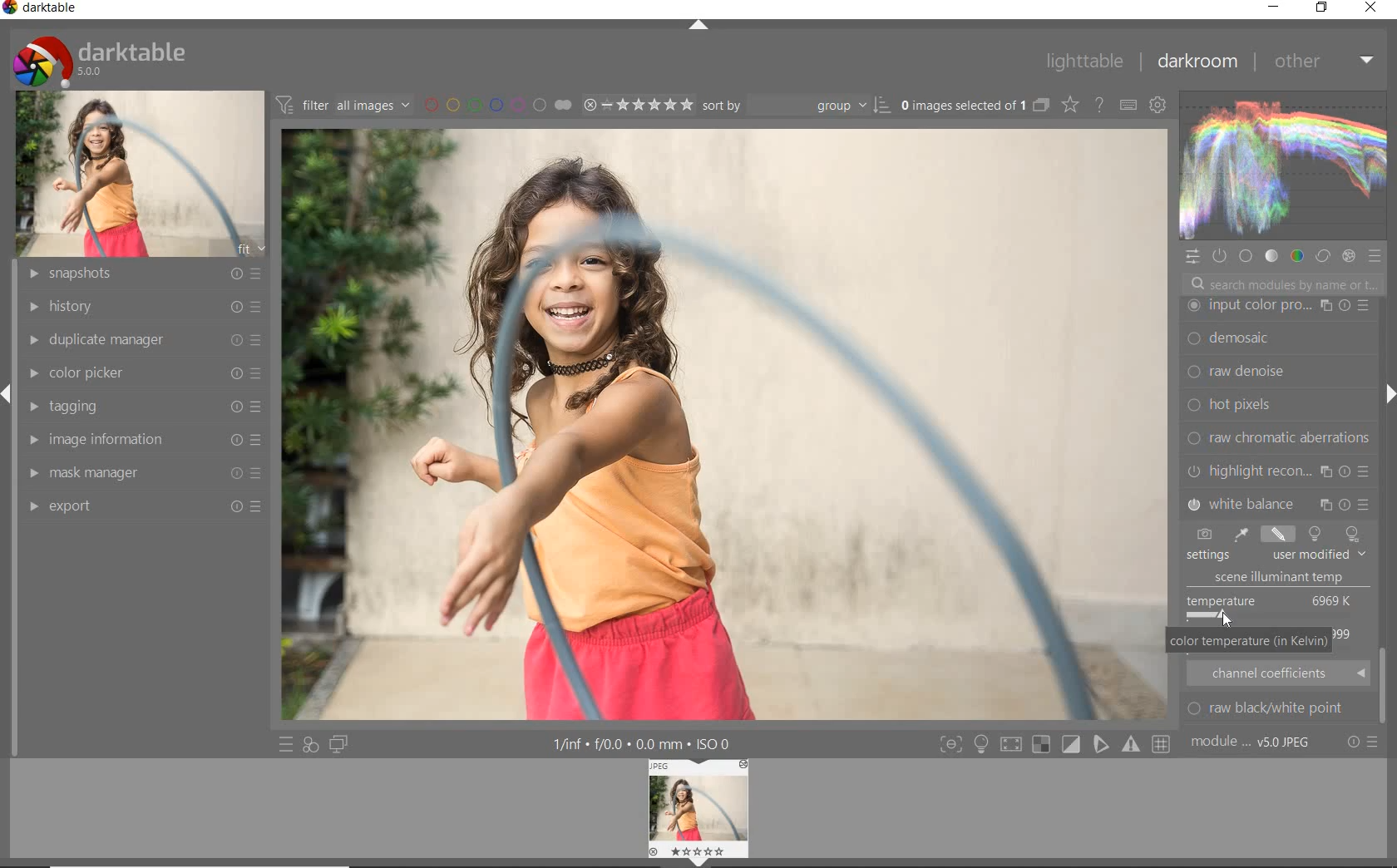 The width and height of the screenshot is (1397, 868). Describe the element at coordinates (342, 744) in the screenshot. I see `display a second darkroom image window` at that location.